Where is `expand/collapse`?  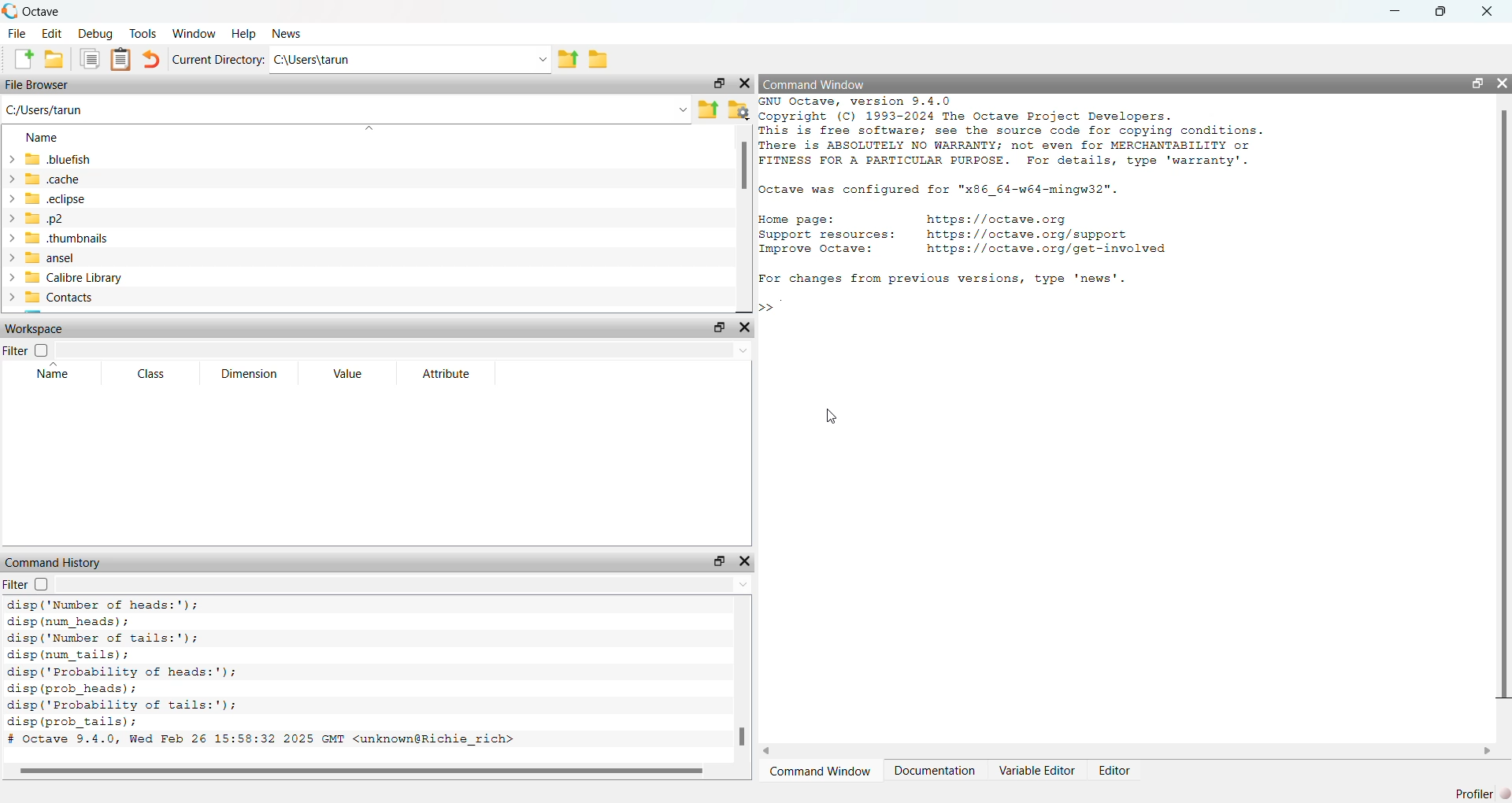 expand/collapse is located at coordinates (10, 228).